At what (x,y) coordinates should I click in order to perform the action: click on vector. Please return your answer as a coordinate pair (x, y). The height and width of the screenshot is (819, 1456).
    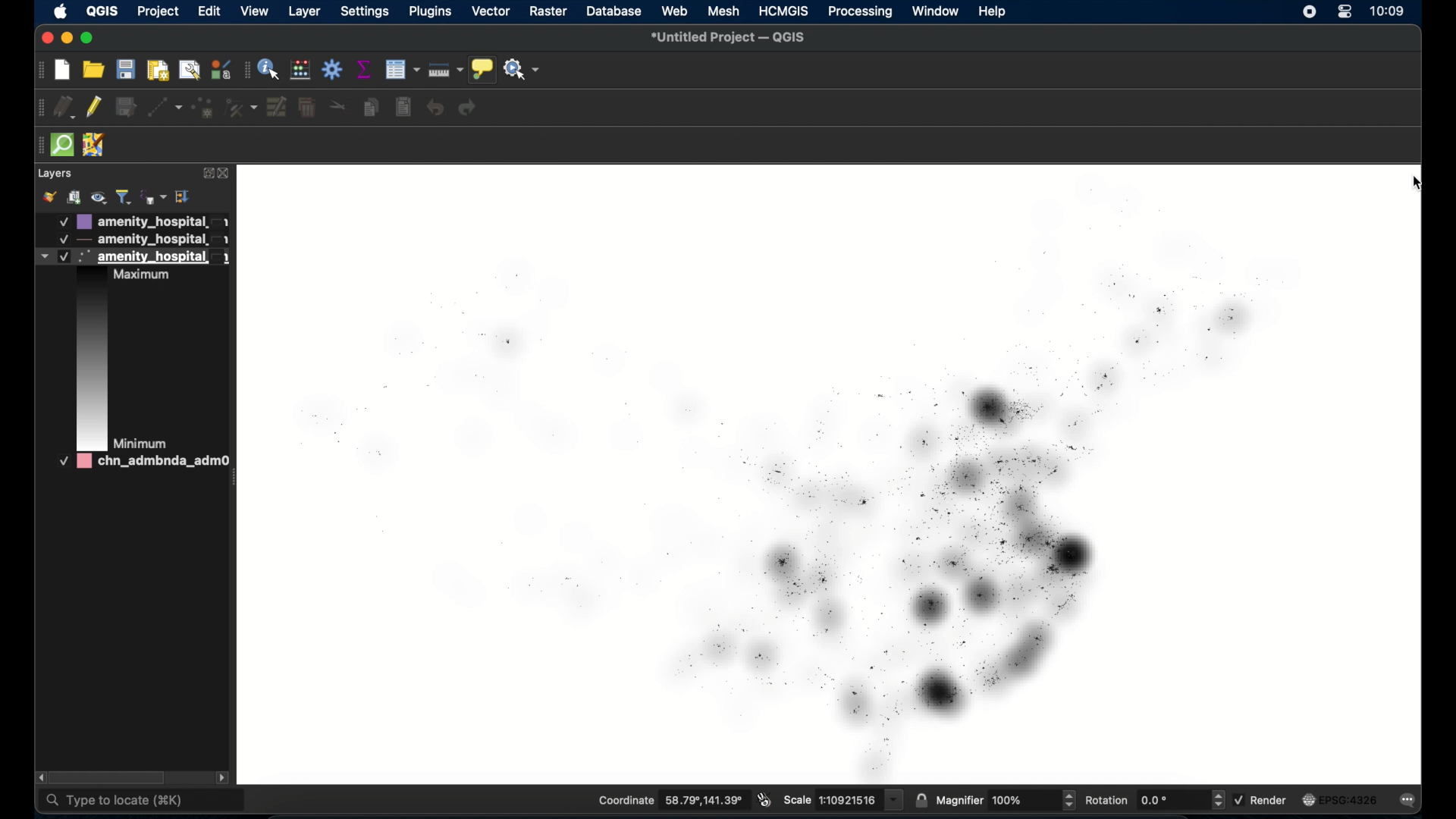
    Looking at the image, I should click on (491, 12).